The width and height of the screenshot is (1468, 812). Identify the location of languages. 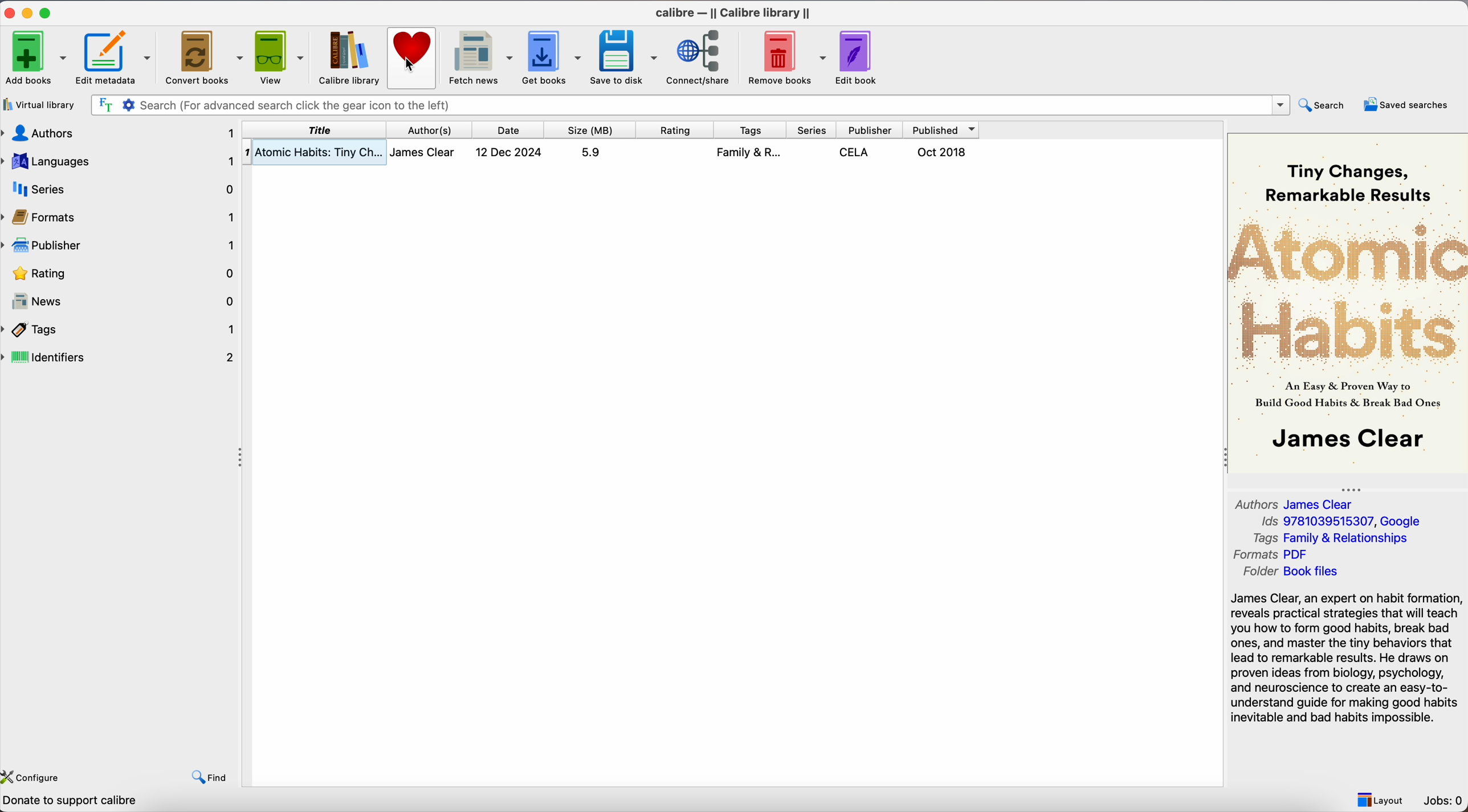
(119, 159).